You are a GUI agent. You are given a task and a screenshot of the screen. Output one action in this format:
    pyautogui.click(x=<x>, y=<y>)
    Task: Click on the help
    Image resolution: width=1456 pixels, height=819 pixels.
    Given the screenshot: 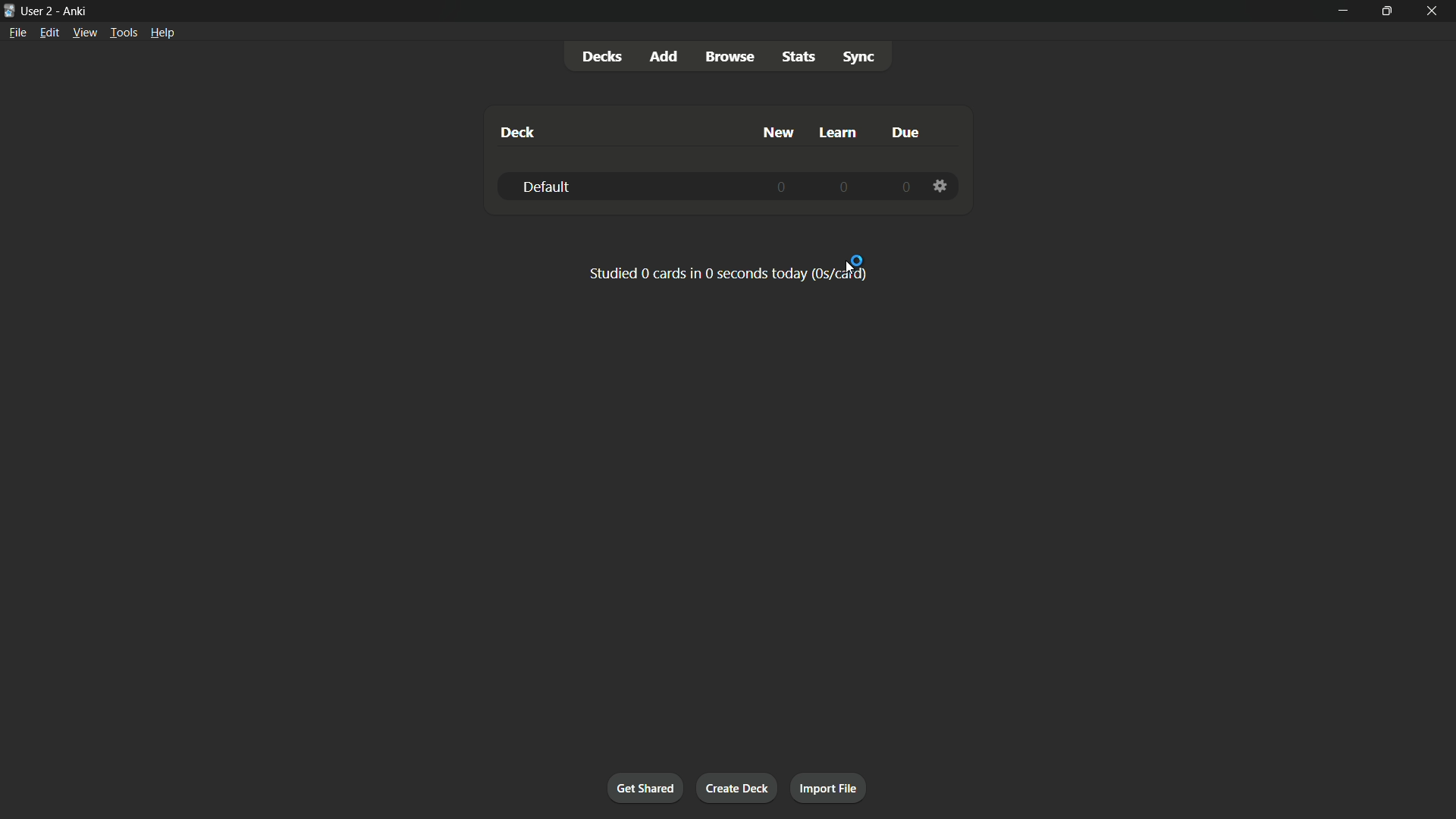 What is the action you would take?
    pyautogui.click(x=163, y=33)
    